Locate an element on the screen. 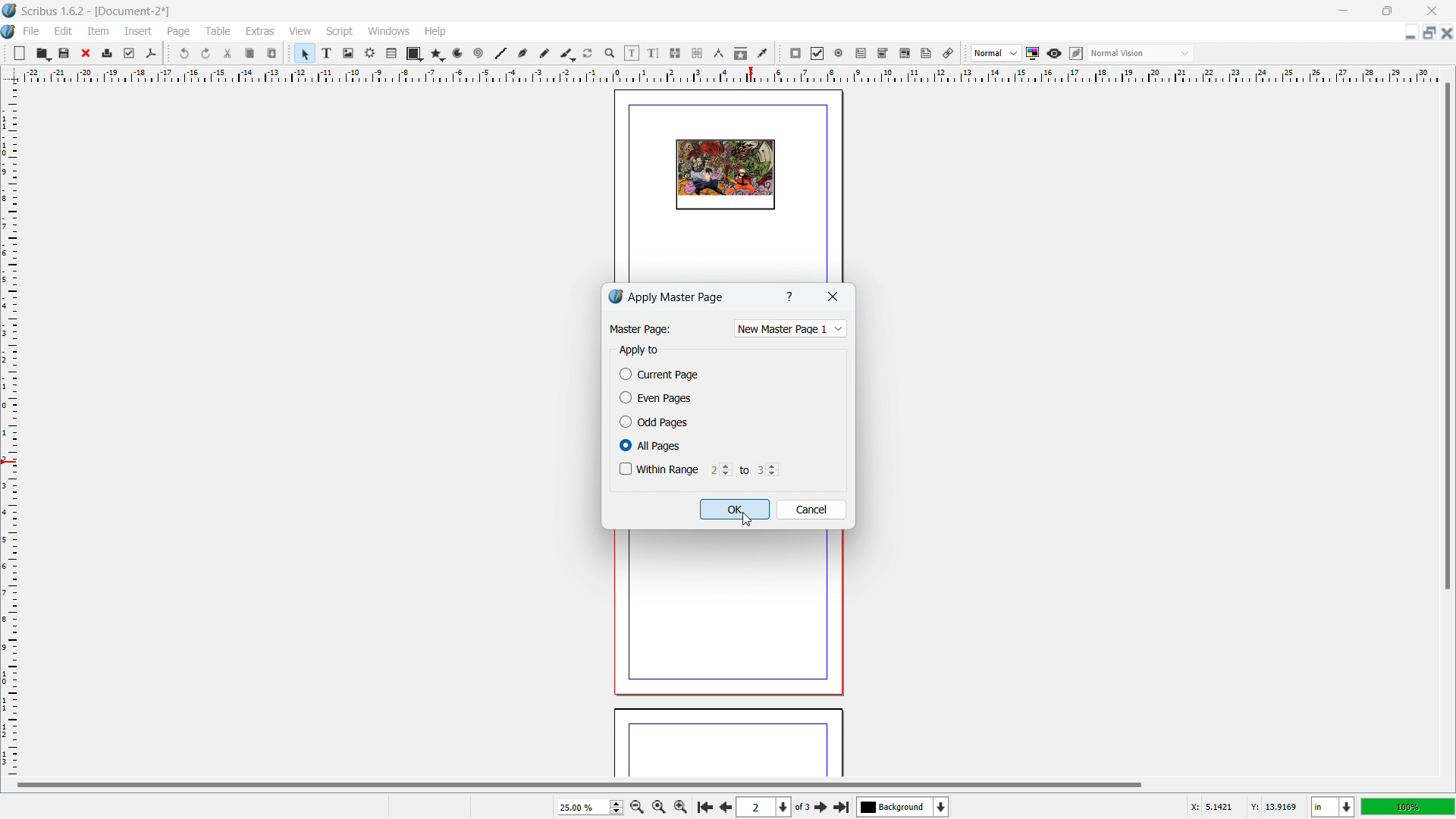 This screenshot has width=1456, height=819. select image preview quality is located at coordinates (996, 53).